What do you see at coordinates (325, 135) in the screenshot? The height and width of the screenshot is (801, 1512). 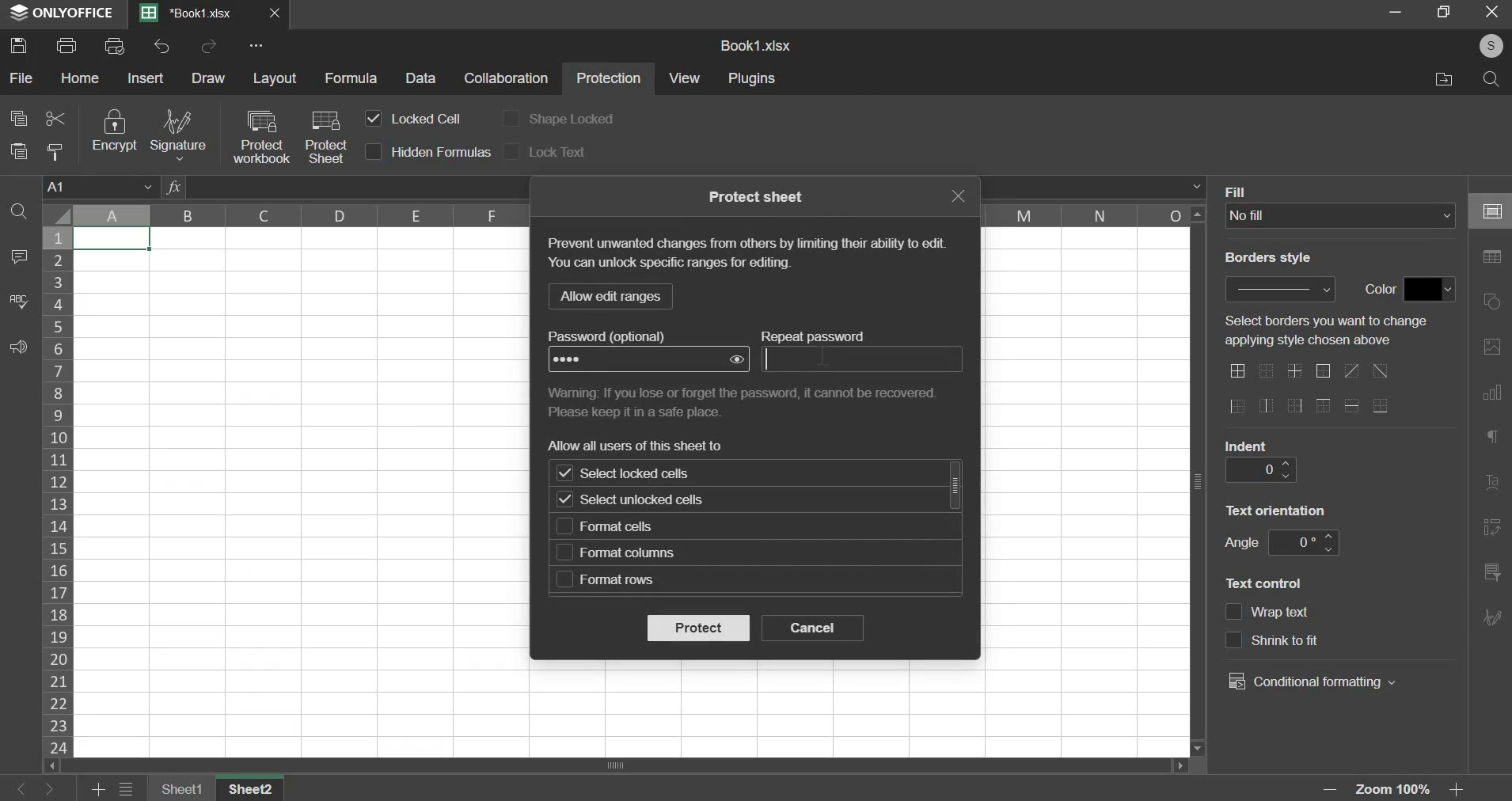 I see `protect sheet with cursor` at bounding box center [325, 135].